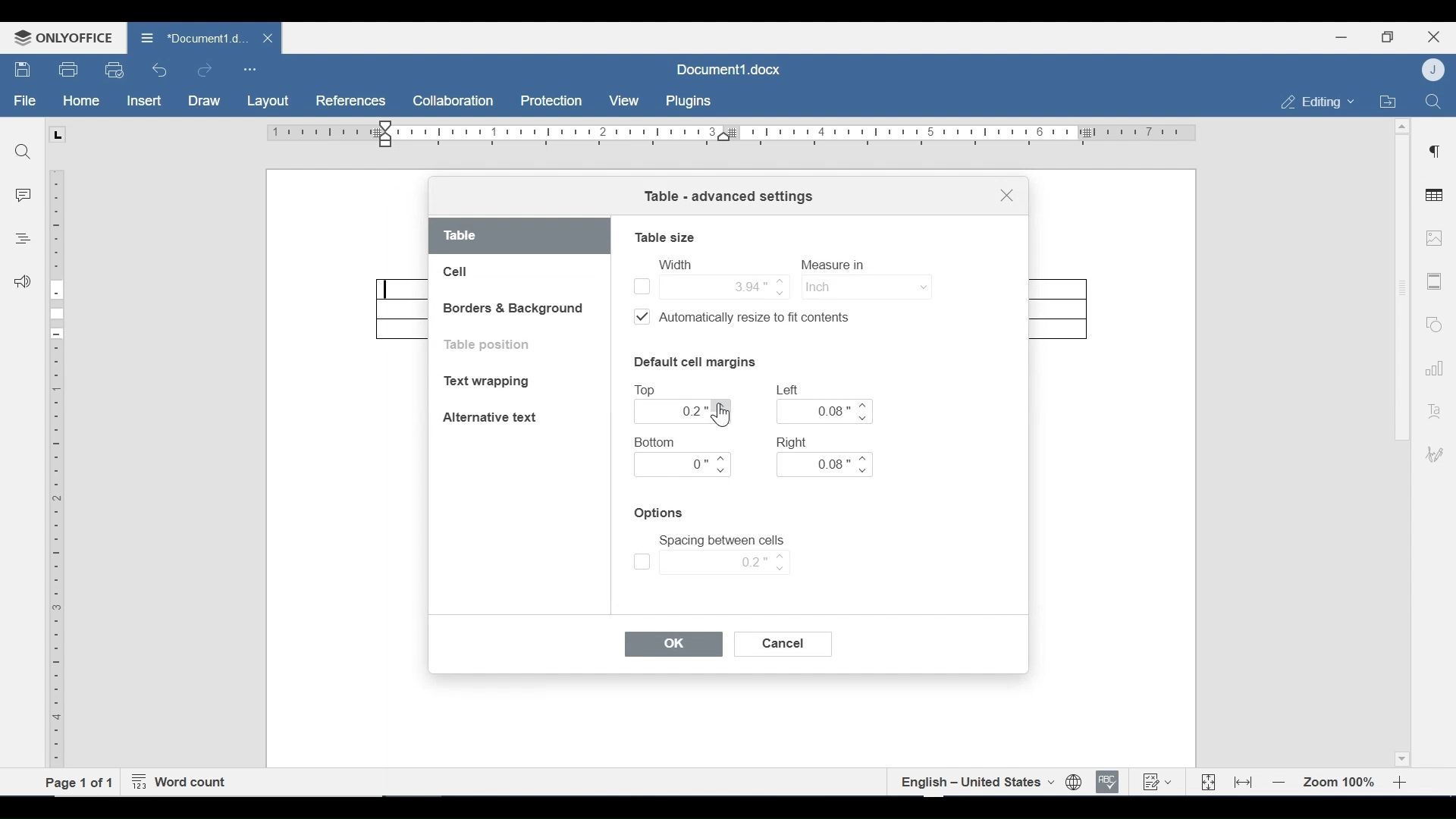  Describe the element at coordinates (24, 197) in the screenshot. I see `Comment` at that location.